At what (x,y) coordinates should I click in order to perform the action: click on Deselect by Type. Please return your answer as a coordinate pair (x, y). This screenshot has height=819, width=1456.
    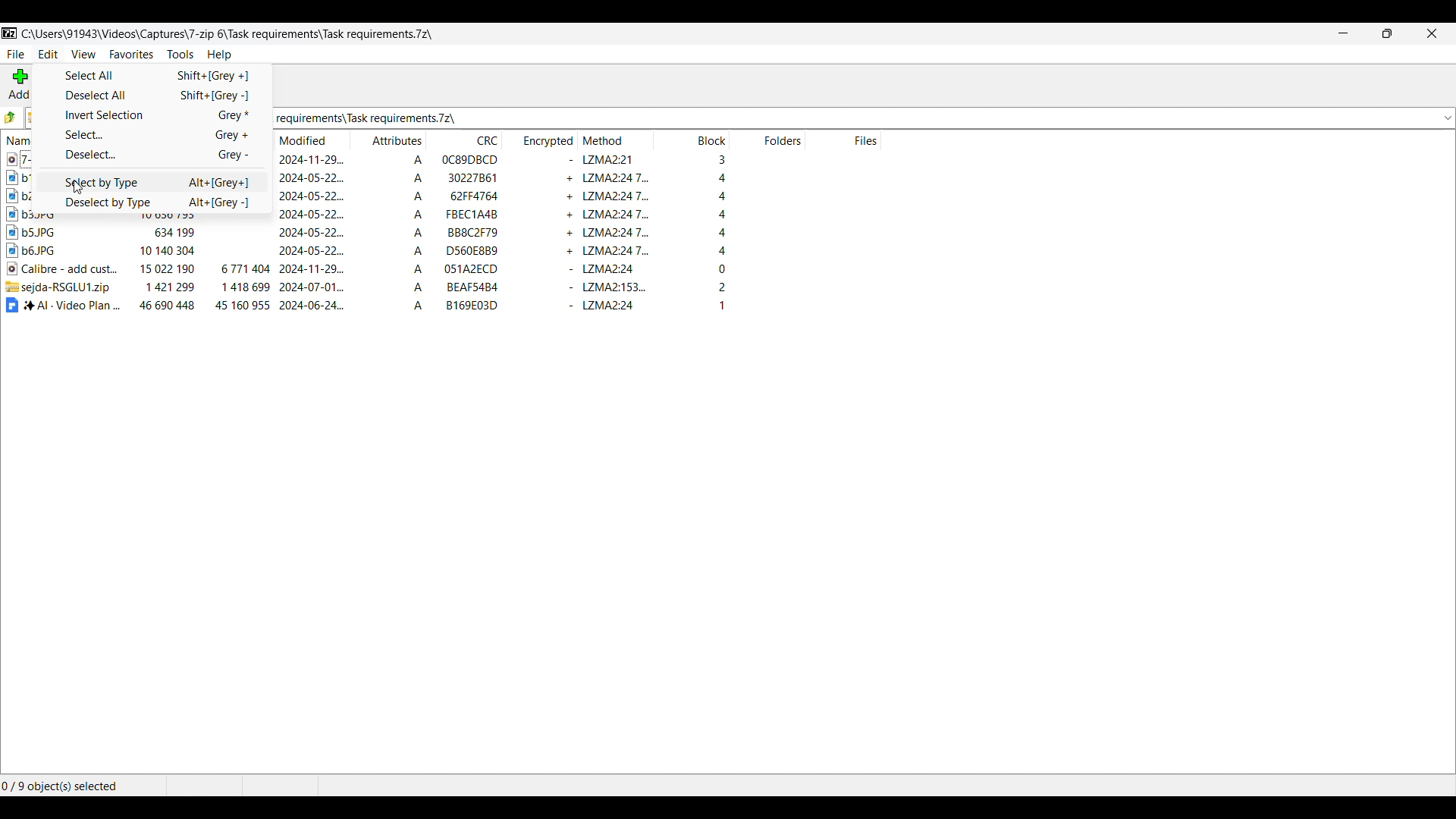
    Looking at the image, I should click on (153, 202).